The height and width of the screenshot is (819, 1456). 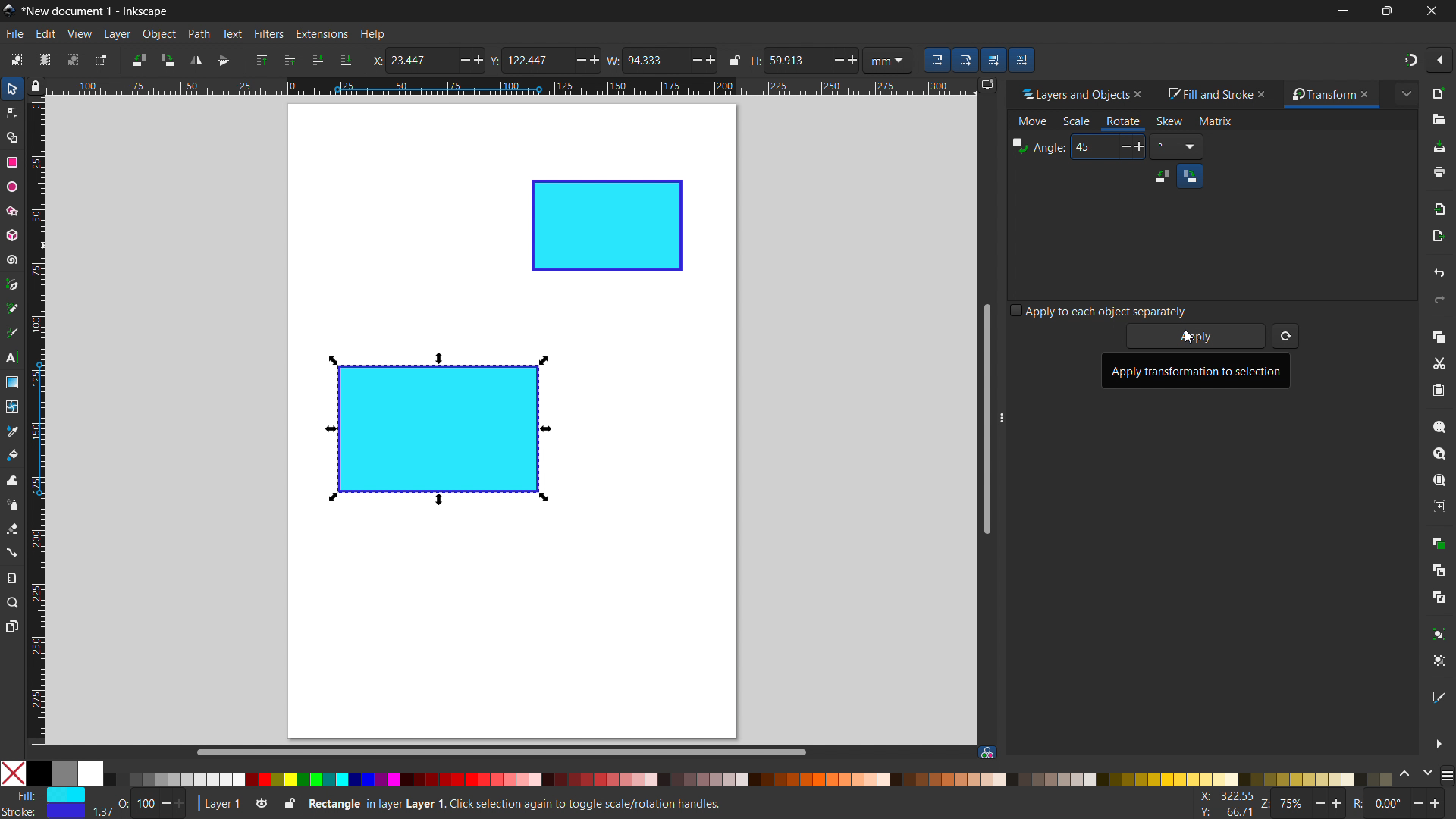 I want to click on unlink clone, so click(x=1439, y=597).